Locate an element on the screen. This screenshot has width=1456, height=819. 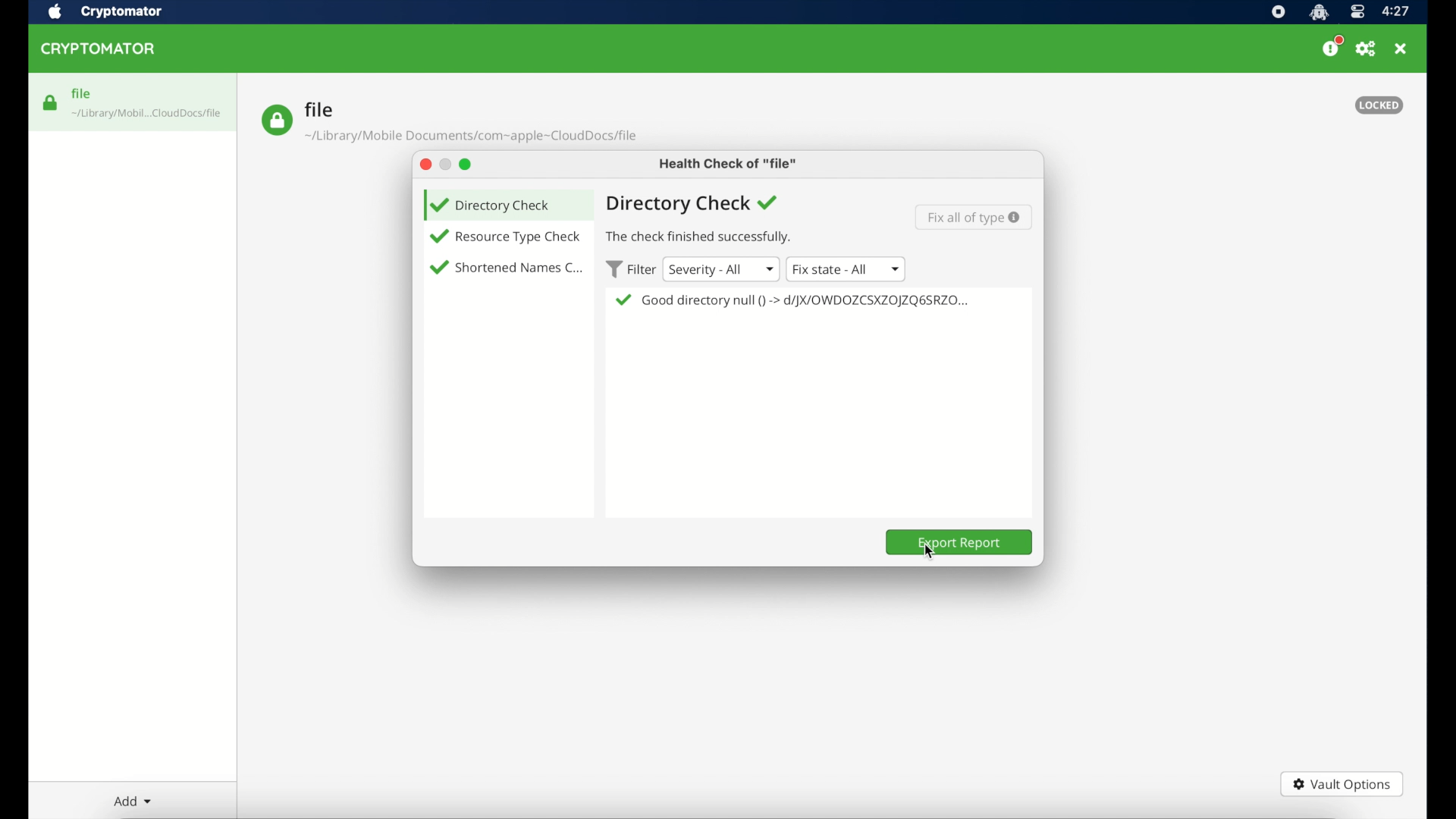
export report is located at coordinates (959, 542).